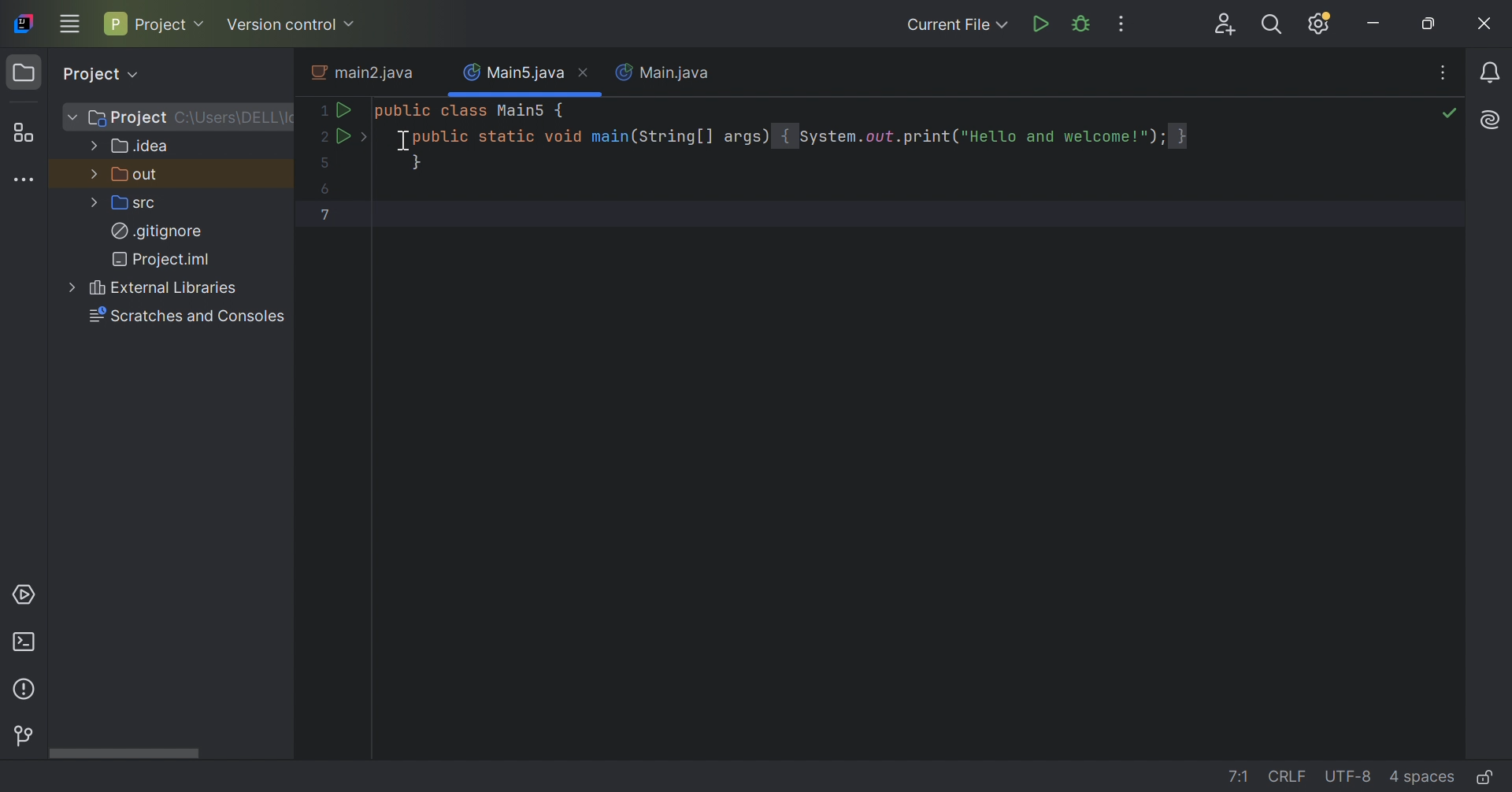 The image size is (1512, 792). What do you see at coordinates (132, 202) in the screenshot?
I see `src` at bounding box center [132, 202].